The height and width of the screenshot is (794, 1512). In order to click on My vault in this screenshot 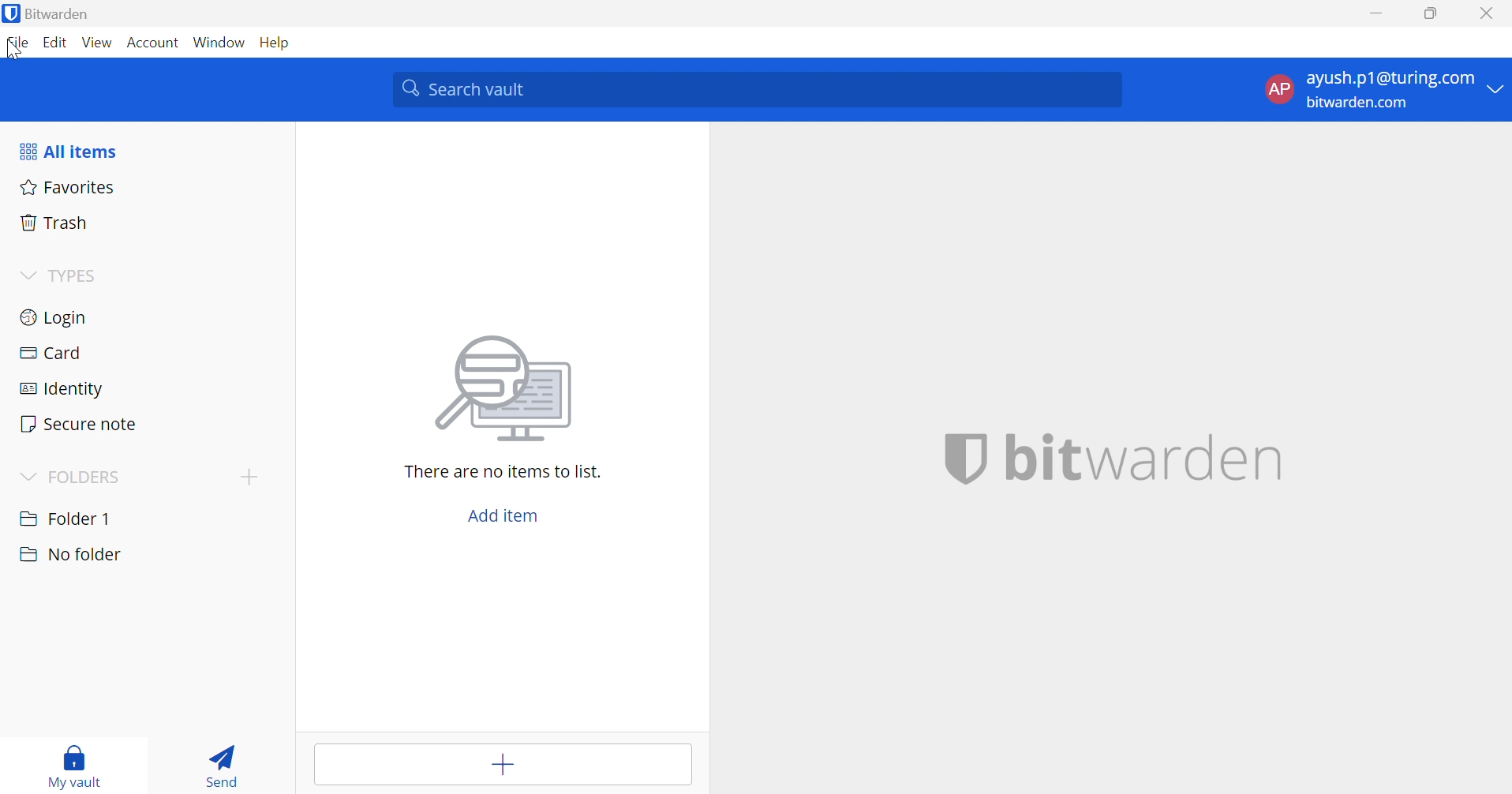, I will do `click(75, 763)`.